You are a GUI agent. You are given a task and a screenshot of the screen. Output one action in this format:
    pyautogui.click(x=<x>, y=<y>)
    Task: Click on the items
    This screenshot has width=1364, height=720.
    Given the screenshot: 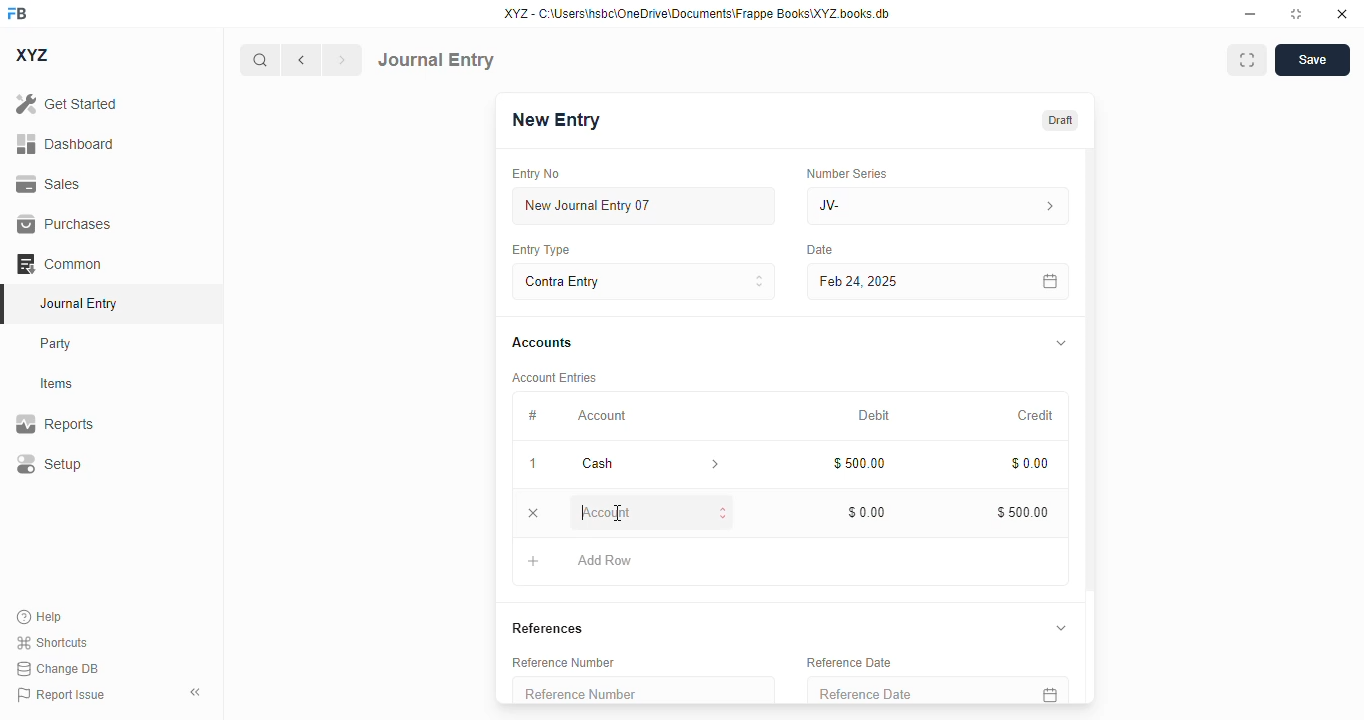 What is the action you would take?
    pyautogui.click(x=57, y=384)
    